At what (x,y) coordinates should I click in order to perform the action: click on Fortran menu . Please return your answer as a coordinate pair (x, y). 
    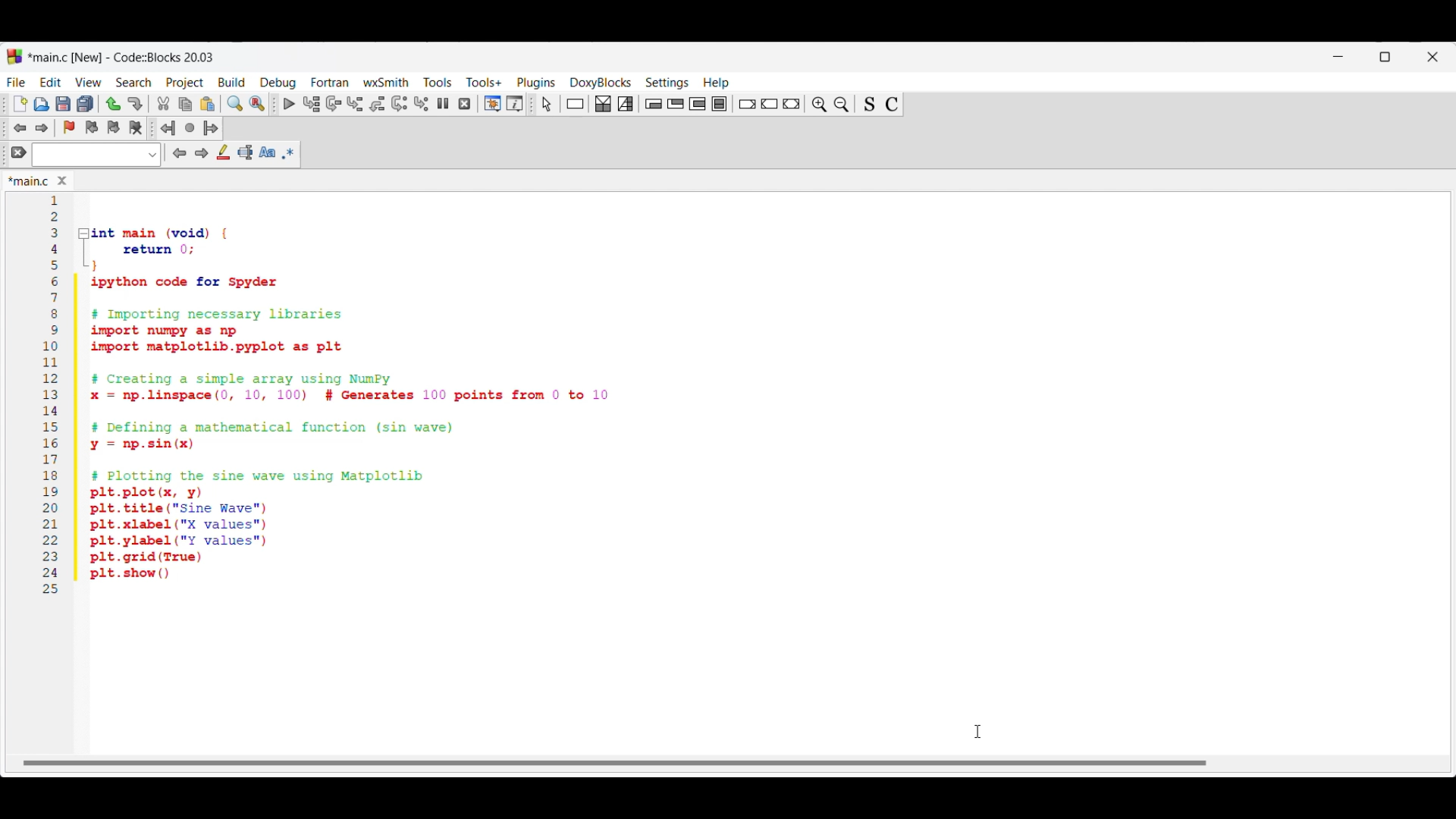
    Looking at the image, I should click on (330, 82).